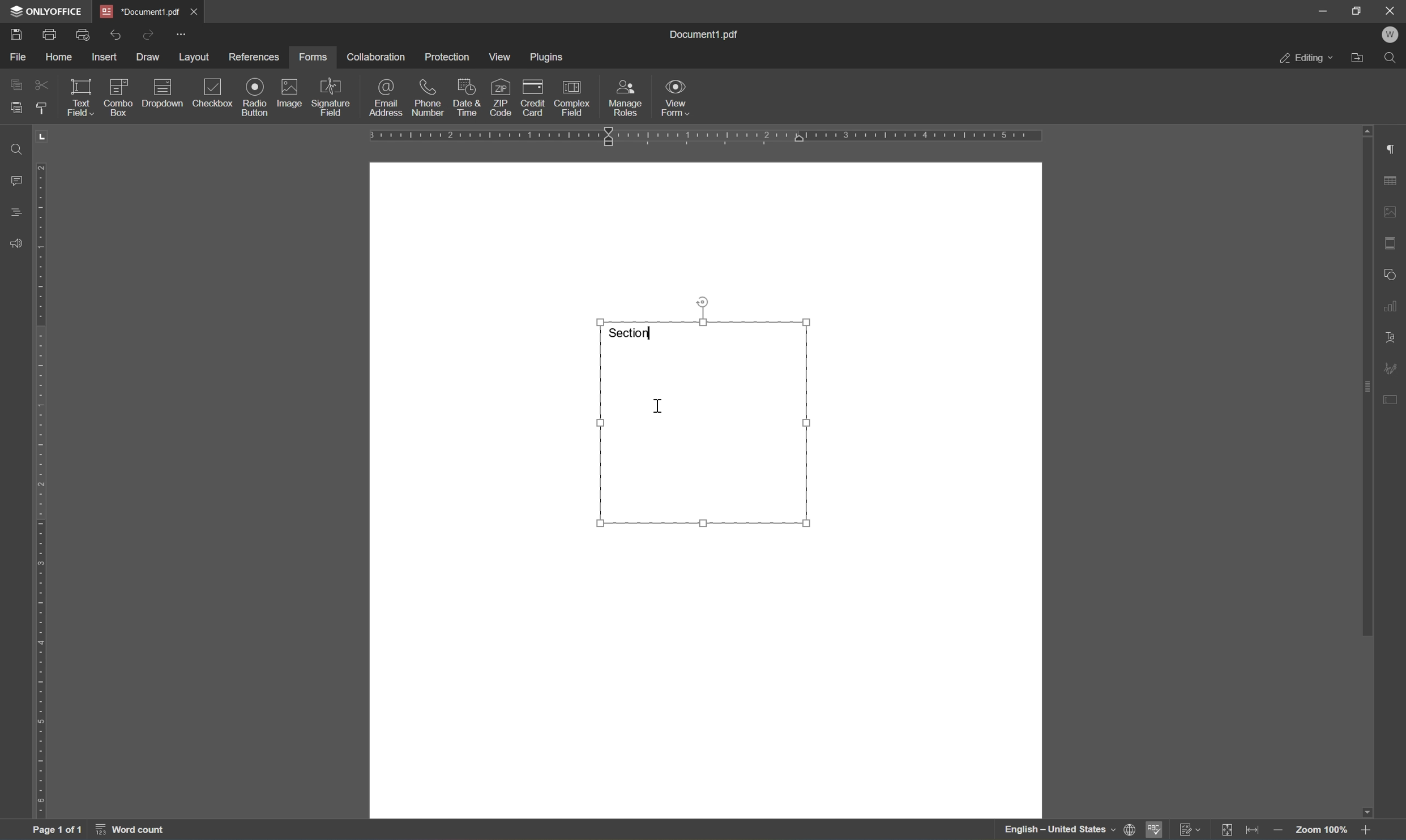 This screenshot has width=1406, height=840. What do you see at coordinates (147, 34) in the screenshot?
I see `redo` at bounding box center [147, 34].